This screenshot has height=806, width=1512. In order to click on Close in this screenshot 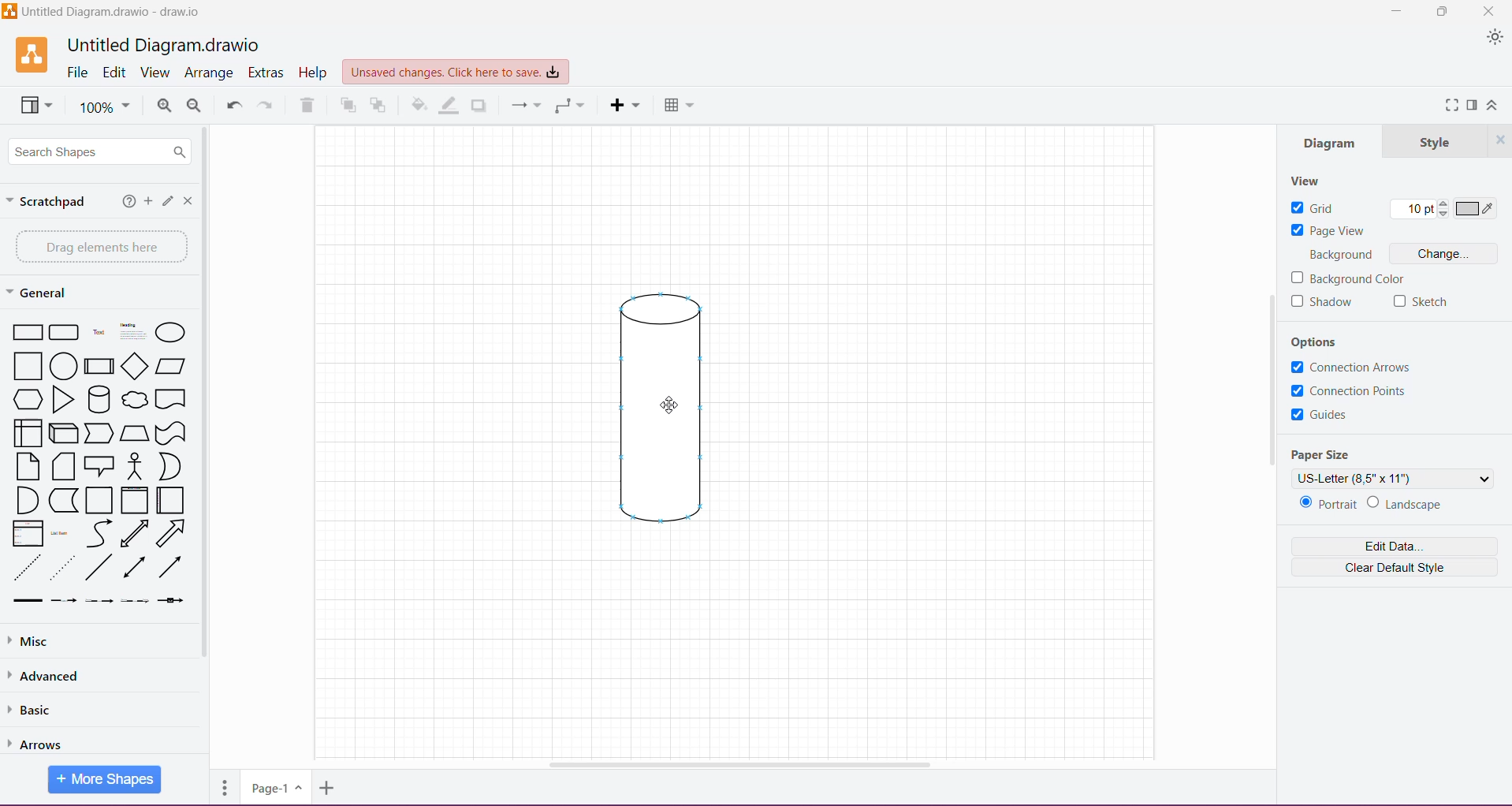, I will do `click(1499, 140)`.